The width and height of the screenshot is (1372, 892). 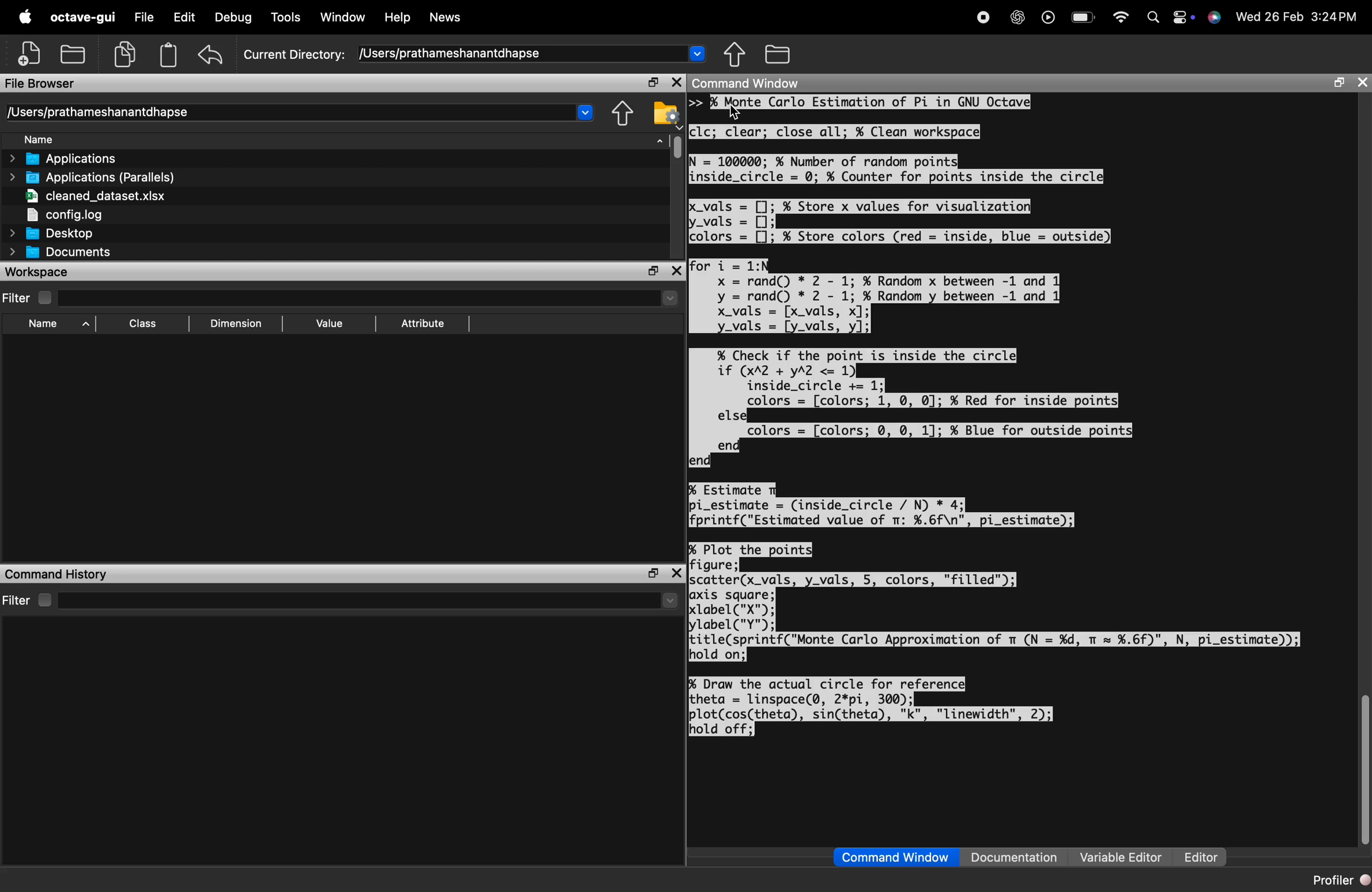 What do you see at coordinates (210, 56) in the screenshot?
I see `Undo` at bounding box center [210, 56].